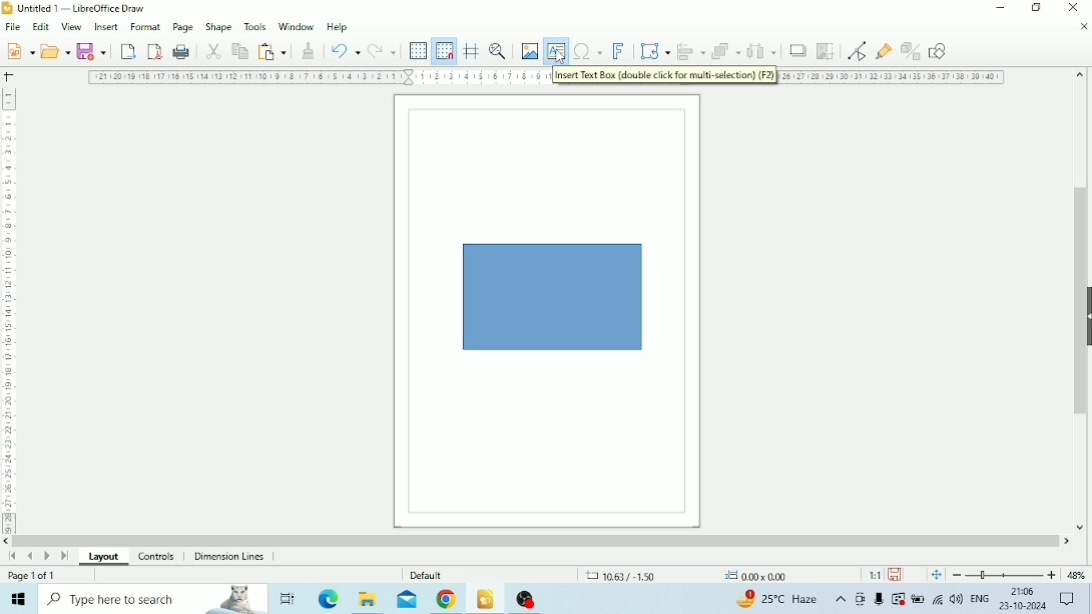 The image size is (1092, 614). What do you see at coordinates (12, 556) in the screenshot?
I see `Scroll to first page` at bounding box center [12, 556].